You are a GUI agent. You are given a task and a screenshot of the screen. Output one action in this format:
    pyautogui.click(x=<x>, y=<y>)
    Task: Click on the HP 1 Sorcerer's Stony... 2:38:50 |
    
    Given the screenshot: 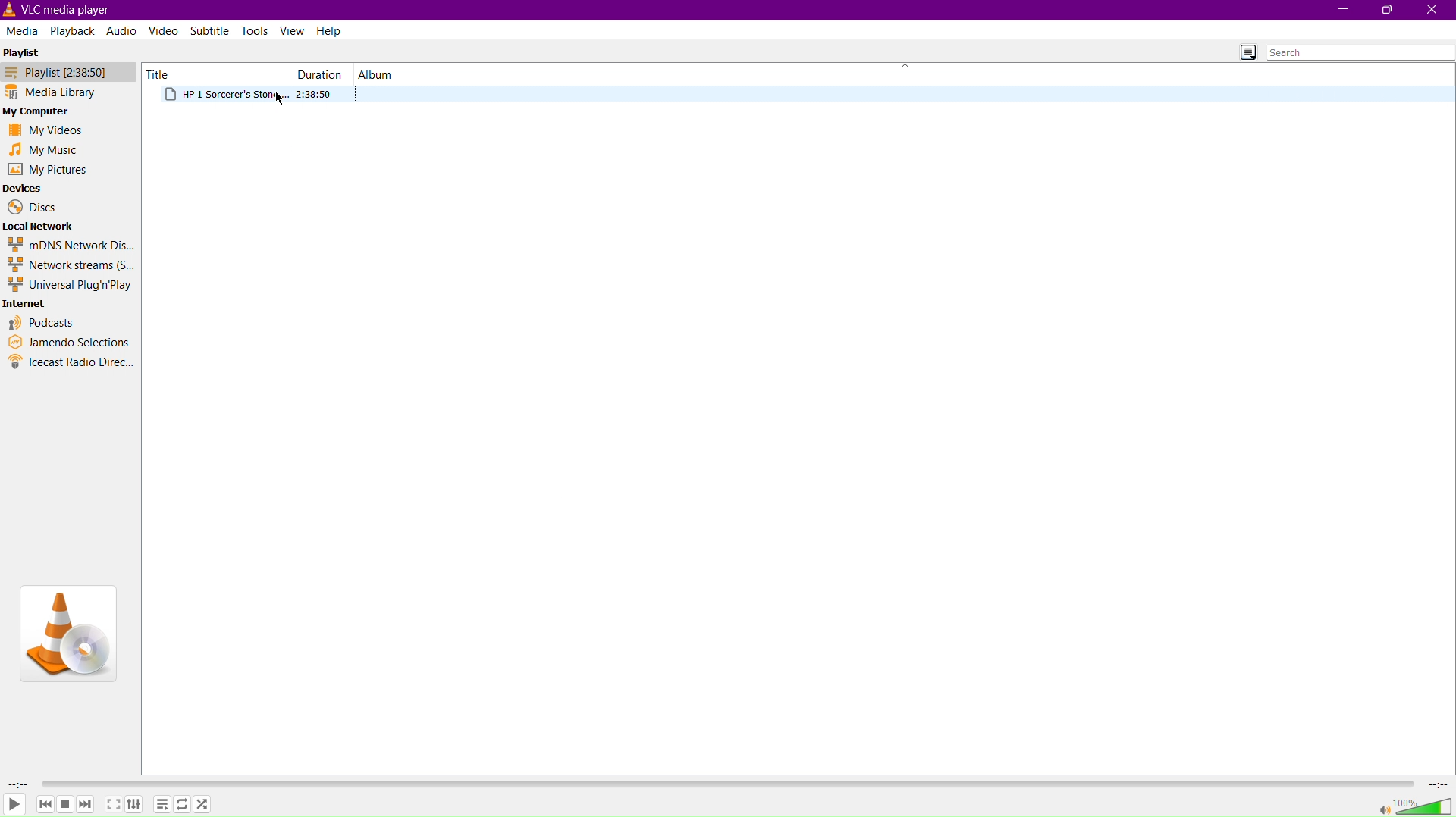 What is the action you would take?
    pyautogui.click(x=258, y=95)
    